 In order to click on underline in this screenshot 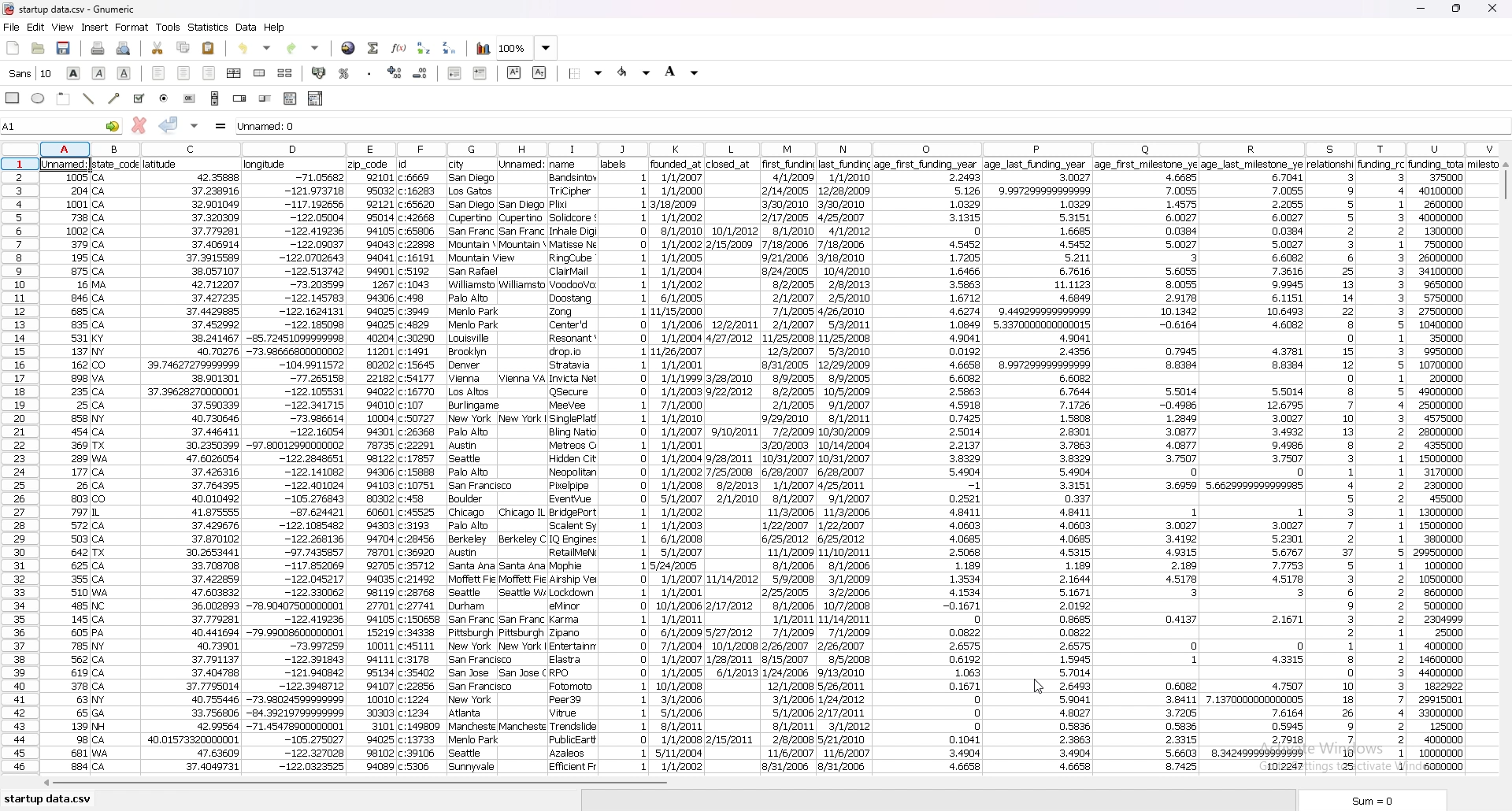, I will do `click(125, 73)`.